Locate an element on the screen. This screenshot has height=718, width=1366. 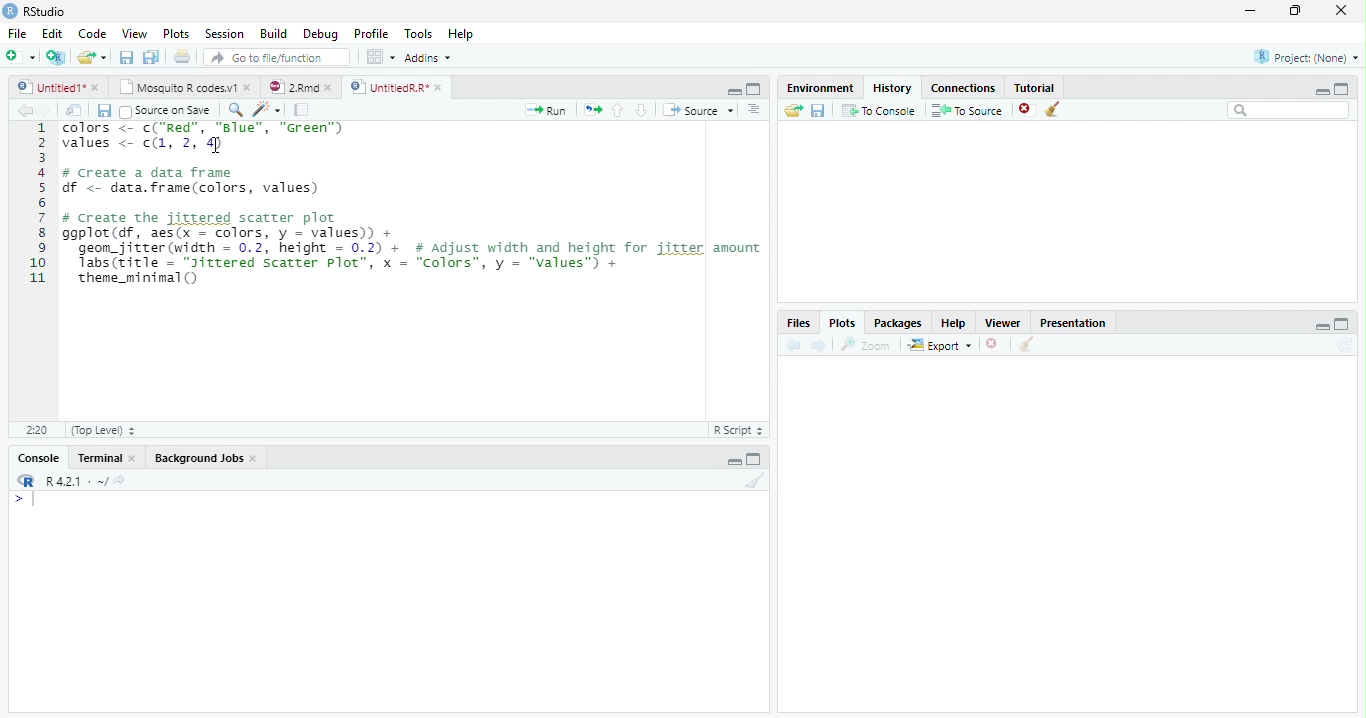
Source is located at coordinates (698, 110).